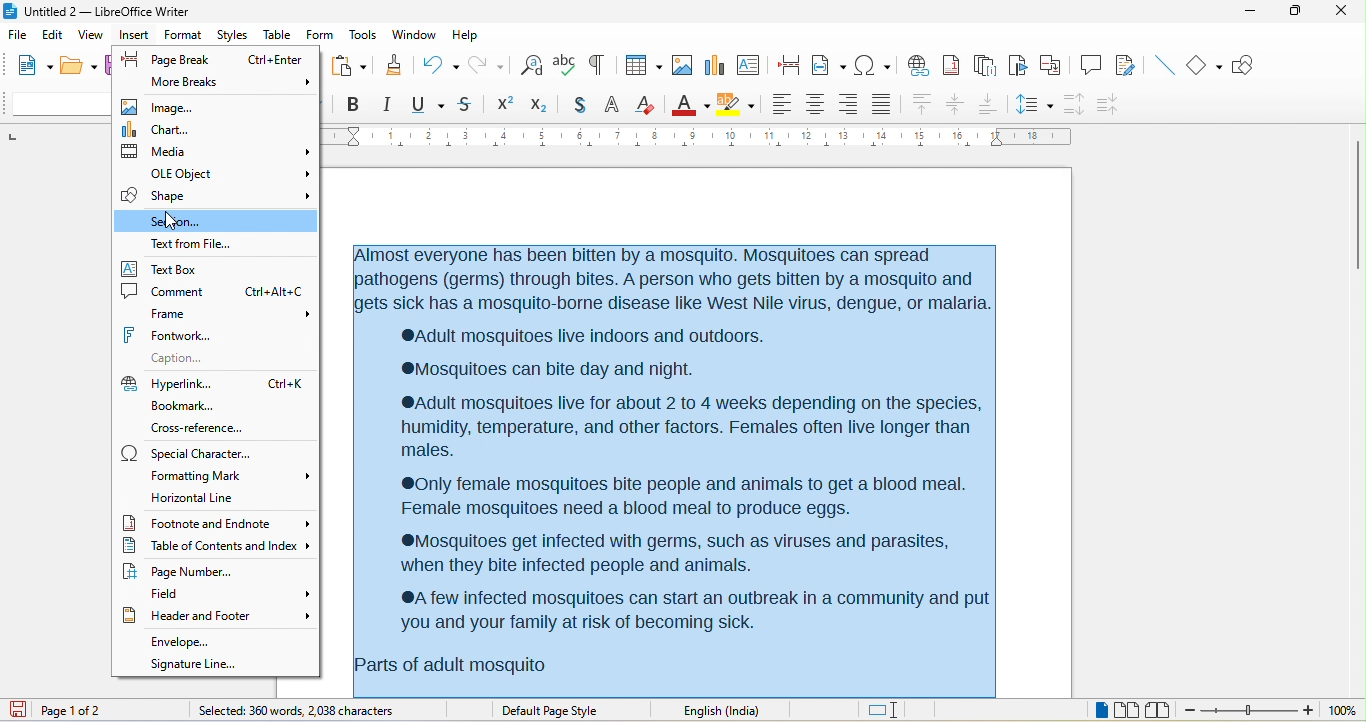 This screenshot has width=1366, height=722. Describe the element at coordinates (217, 592) in the screenshot. I see `field` at that location.